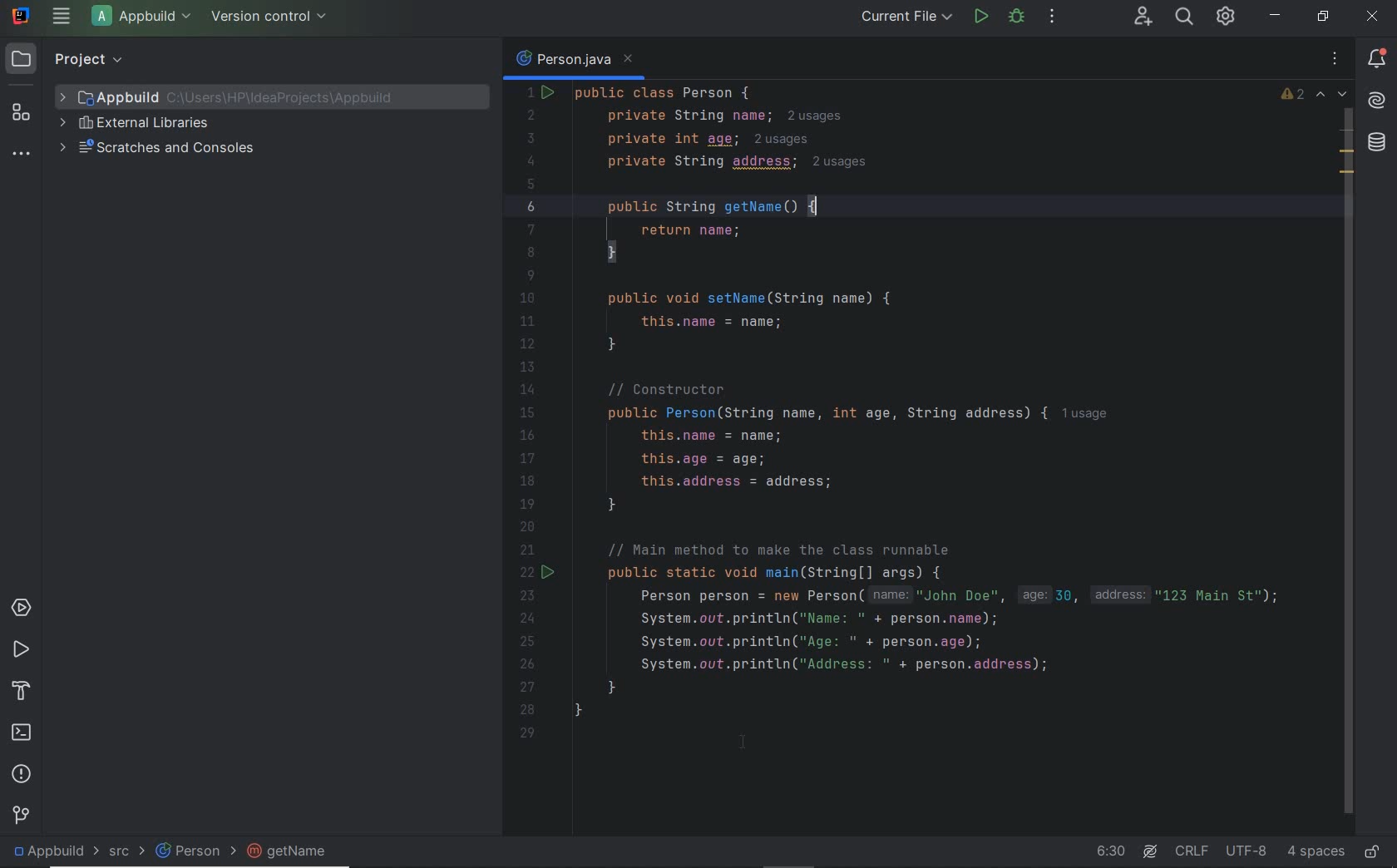 This screenshot has width=1397, height=868. What do you see at coordinates (1380, 144) in the screenshot?
I see `database` at bounding box center [1380, 144].